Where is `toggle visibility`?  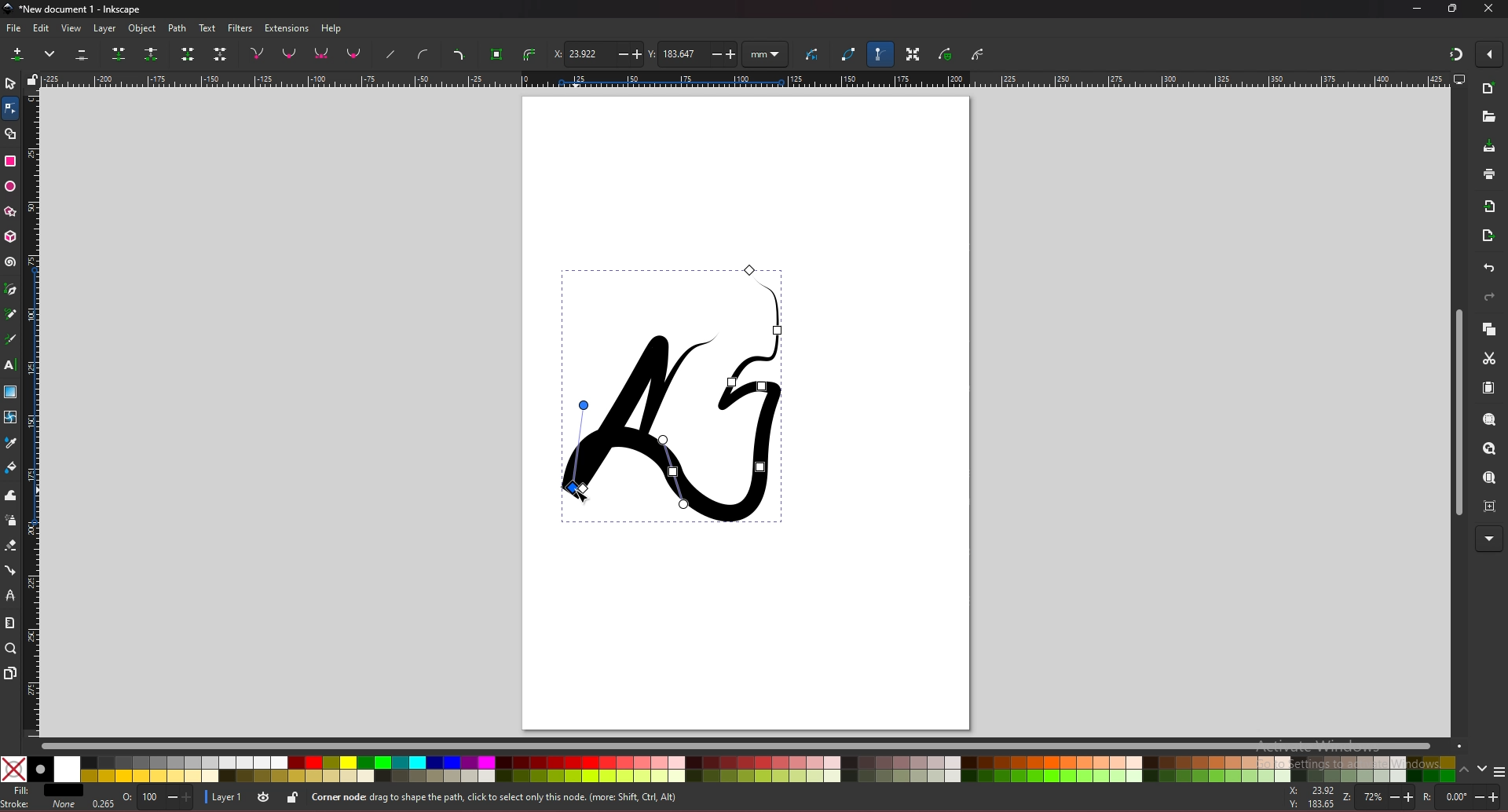
toggle visibility is located at coordinates (265, 796).